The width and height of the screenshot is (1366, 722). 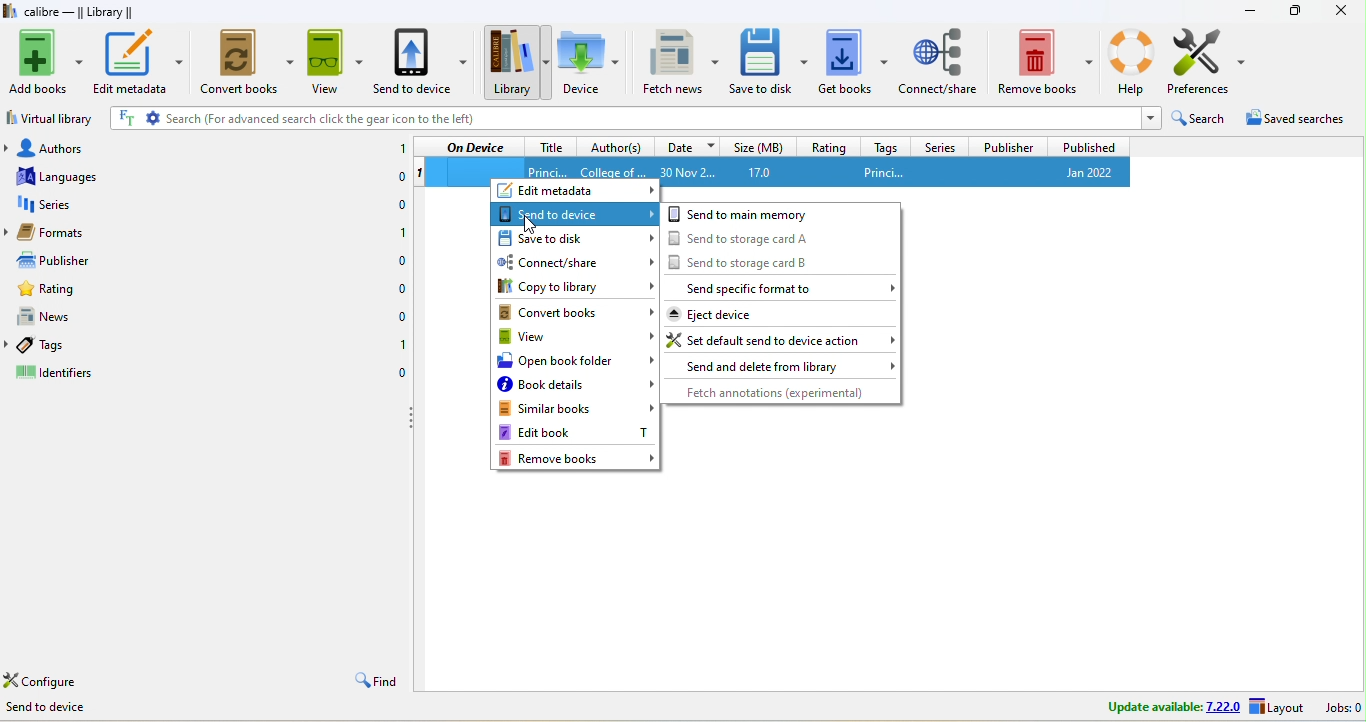 What do you see at coordinates (1088, 146) in the screenshot?
I see `published` at bounding box center [1088, 146].